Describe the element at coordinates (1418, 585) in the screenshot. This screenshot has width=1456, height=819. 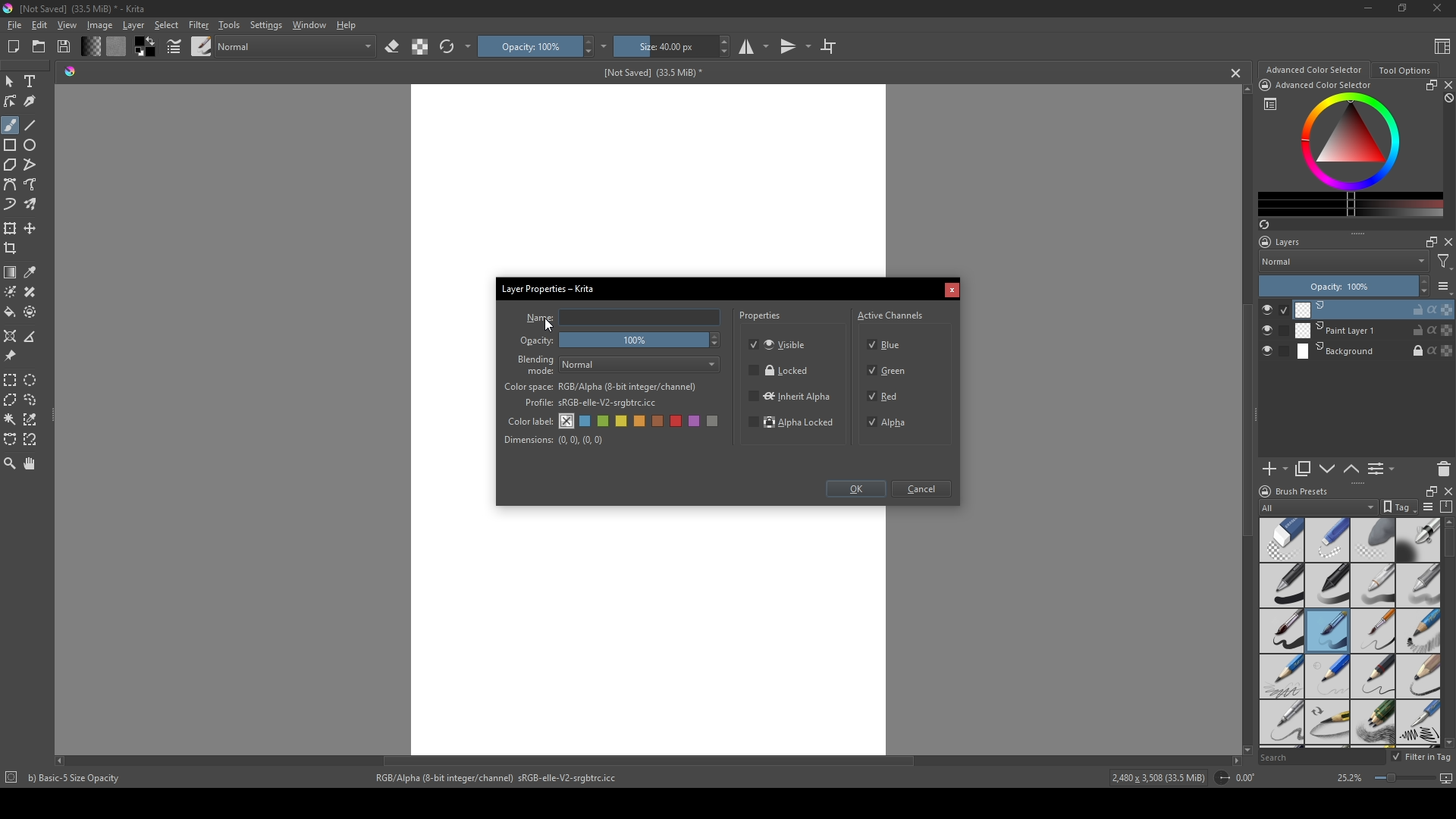
I see `grey pen` at that location.